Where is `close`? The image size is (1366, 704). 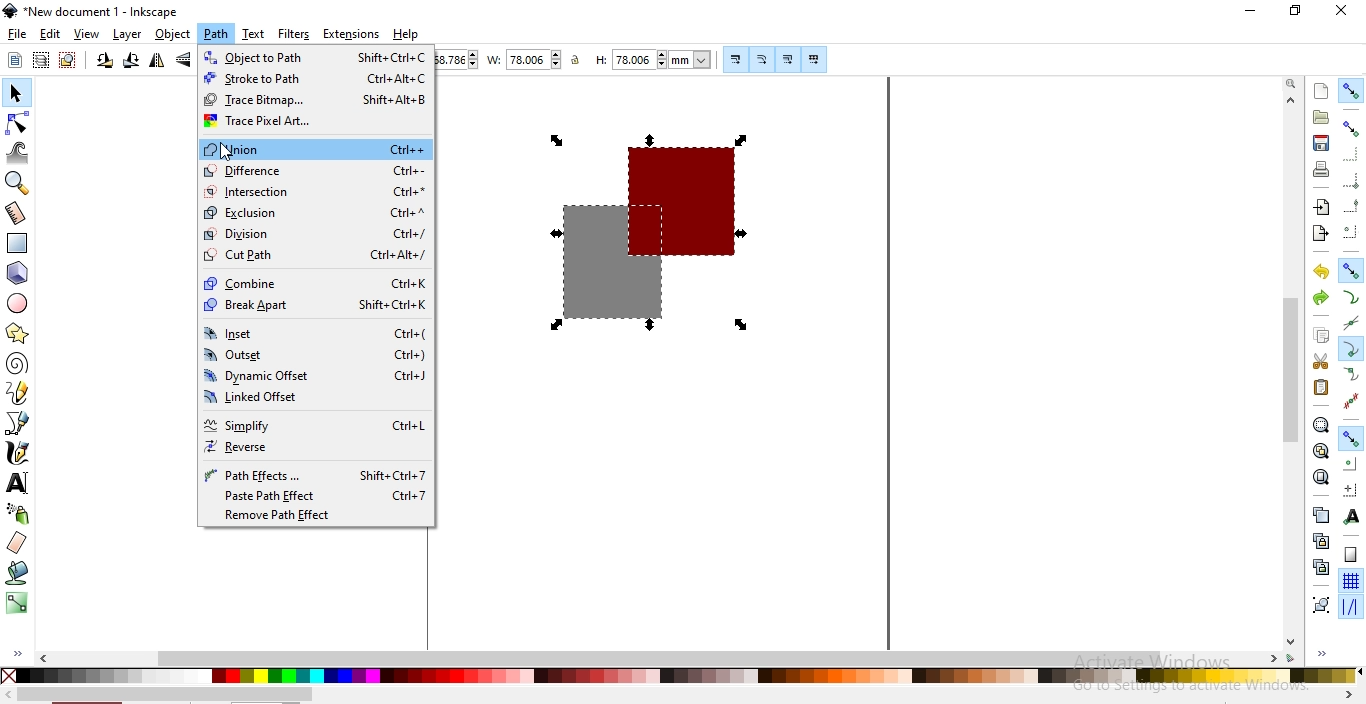 close is located at coordinates (1342, 10).